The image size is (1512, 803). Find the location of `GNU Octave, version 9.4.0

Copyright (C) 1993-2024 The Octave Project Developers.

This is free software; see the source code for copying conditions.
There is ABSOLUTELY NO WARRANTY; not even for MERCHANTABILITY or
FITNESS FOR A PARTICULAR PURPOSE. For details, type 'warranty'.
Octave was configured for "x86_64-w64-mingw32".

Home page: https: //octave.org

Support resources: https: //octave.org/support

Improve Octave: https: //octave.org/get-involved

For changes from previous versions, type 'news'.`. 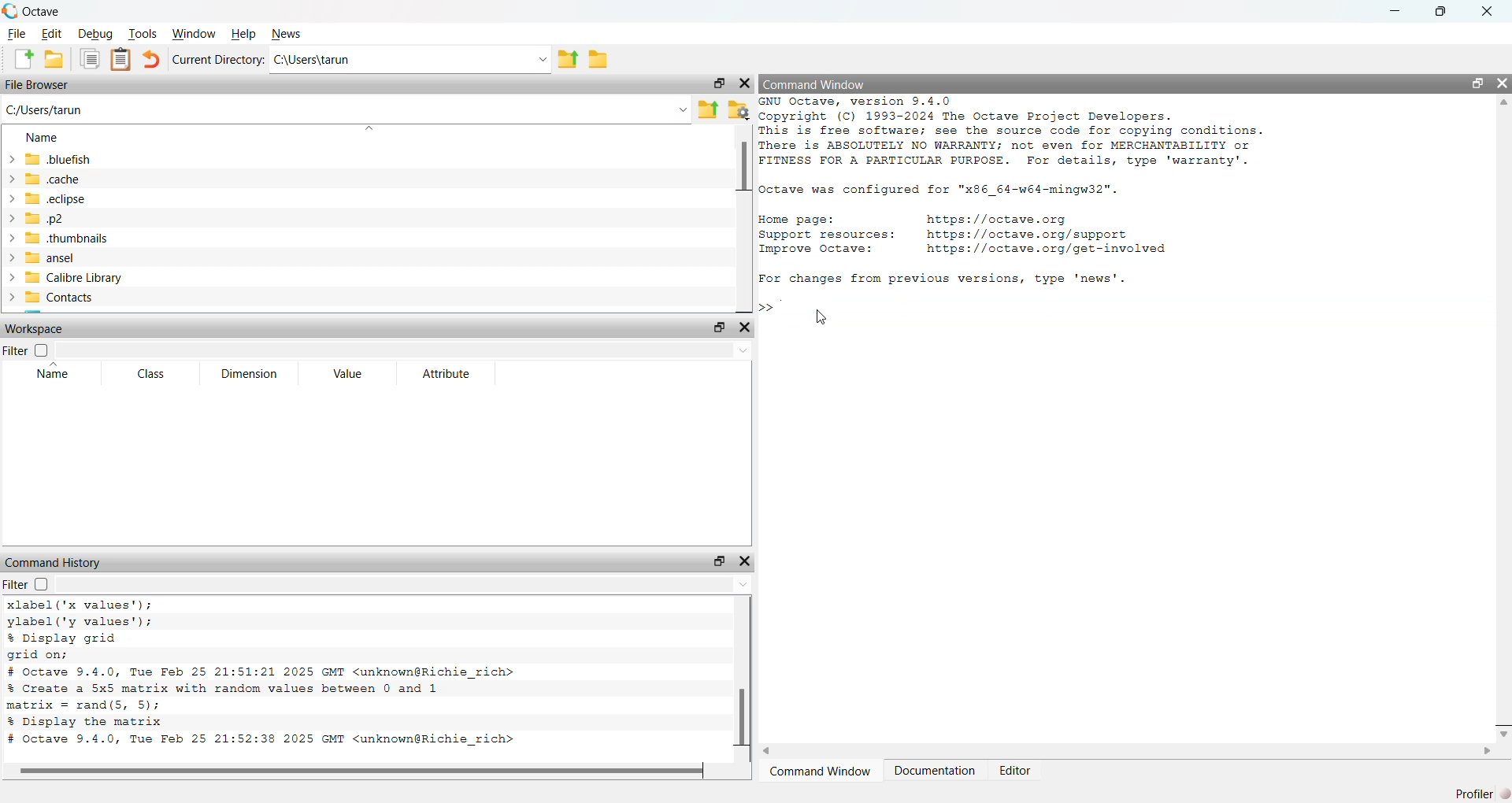

GNU Octave, version 9.4.0

Copyright (C) 1993-2024 The Octave Project Developers.

This is free software; see the source code for copying conditions.
There is ABSOLUTELY NO WARRANTY; not even for MERCHANTABILITY or
FITNESS FOR A PARTICULAR PURPOSE. For details, type 'warranty'.
Octave was configured for "x86_64-w64-mingw32".

Home page: https: //octave.org

Support resources: https: //octave.org/support

Improve Octave: https: //octave.org/get-involved

For changes from previous versions, type 'news'. is located at coordinates (1019, 195).